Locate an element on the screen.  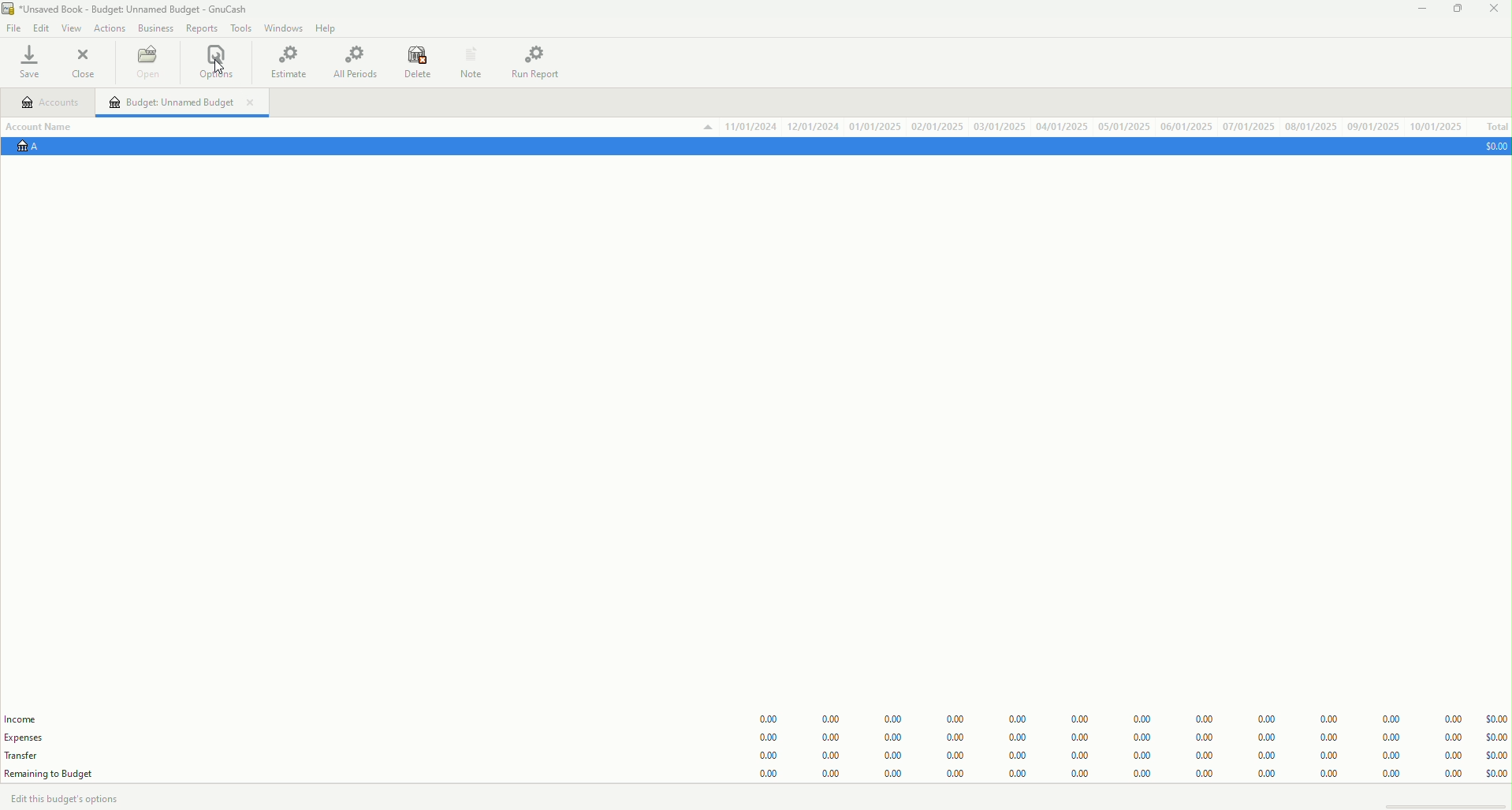
Accounts is located at coordinates (51, 104).